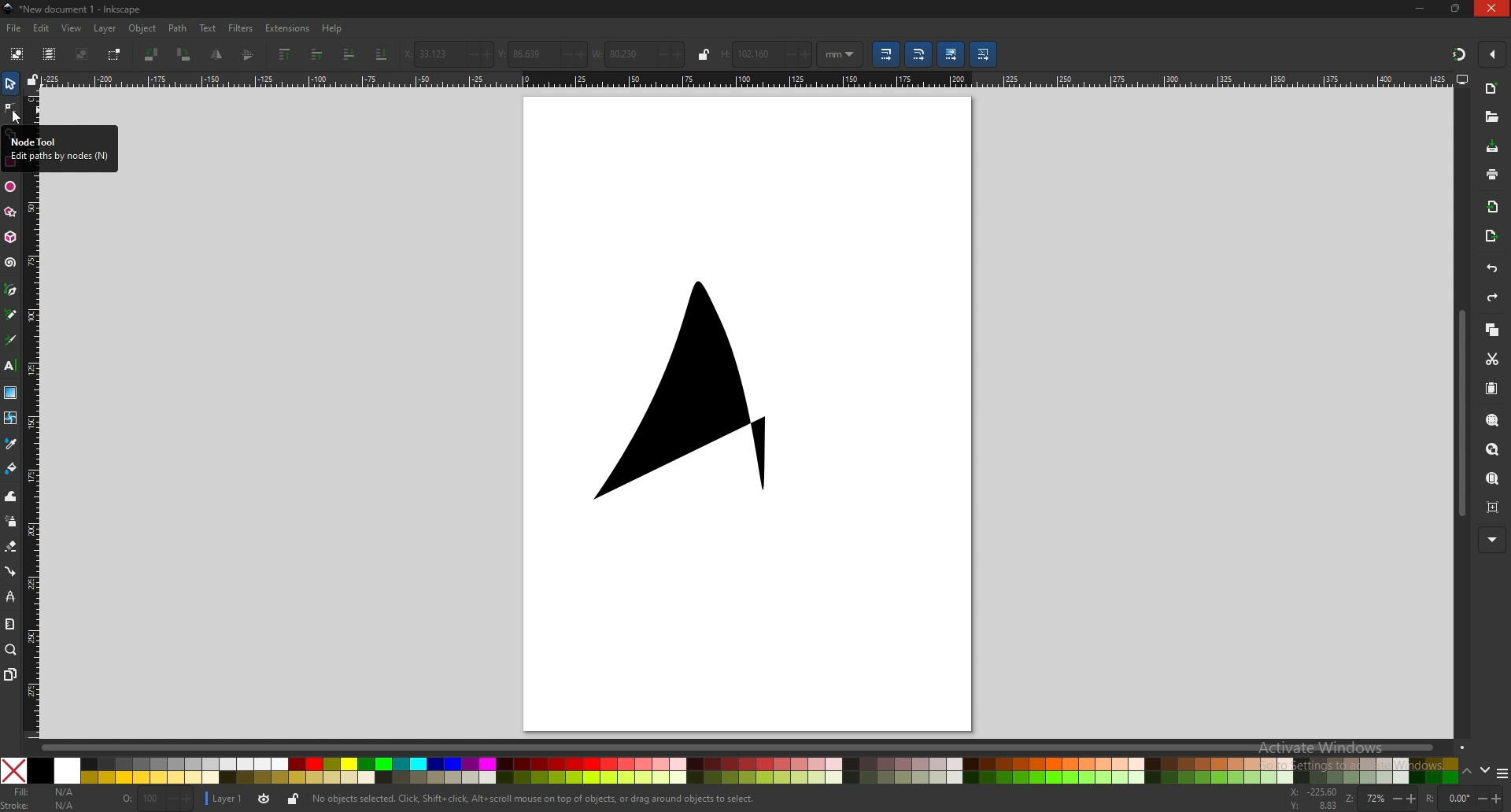 This screenshot has height=812, width=1511. Describe the element at coordinates (1461, 414) in the screenshot. I see `scroll bar` at that location.